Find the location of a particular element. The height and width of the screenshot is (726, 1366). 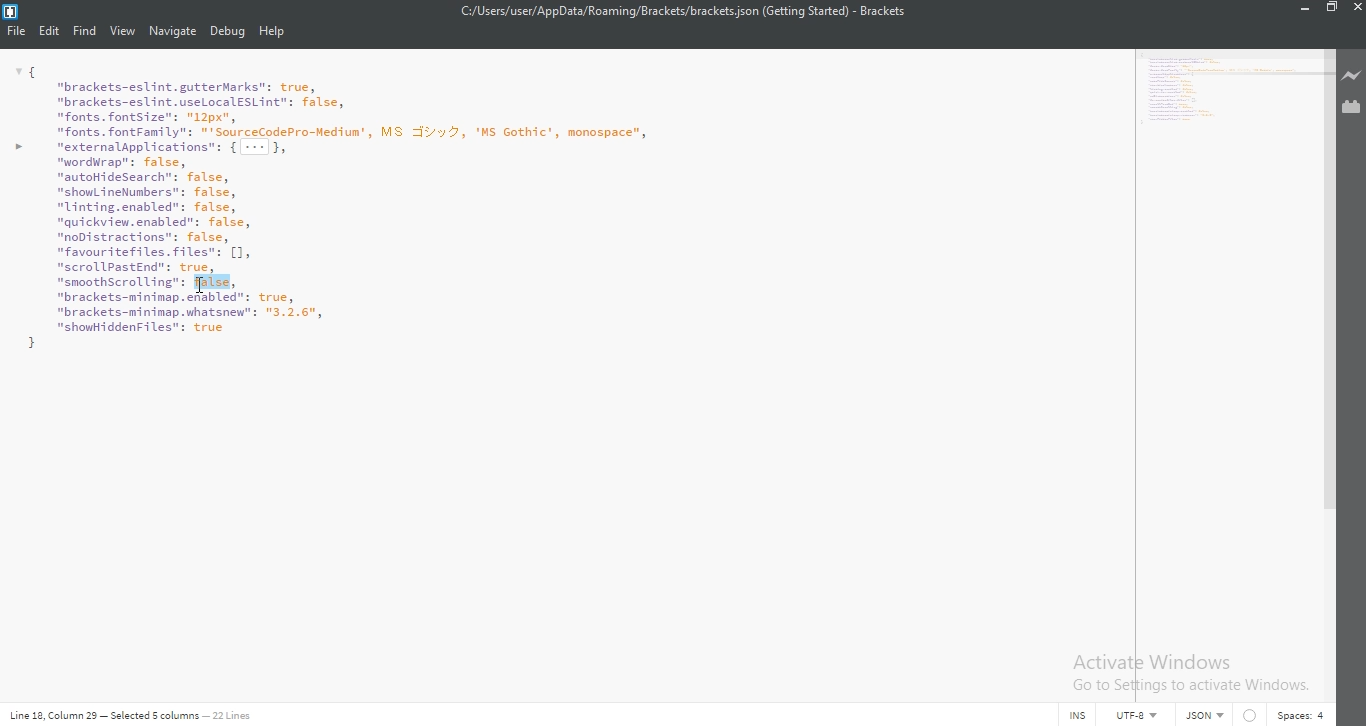

line 18, column 25 is located at coordinates (49, 715).